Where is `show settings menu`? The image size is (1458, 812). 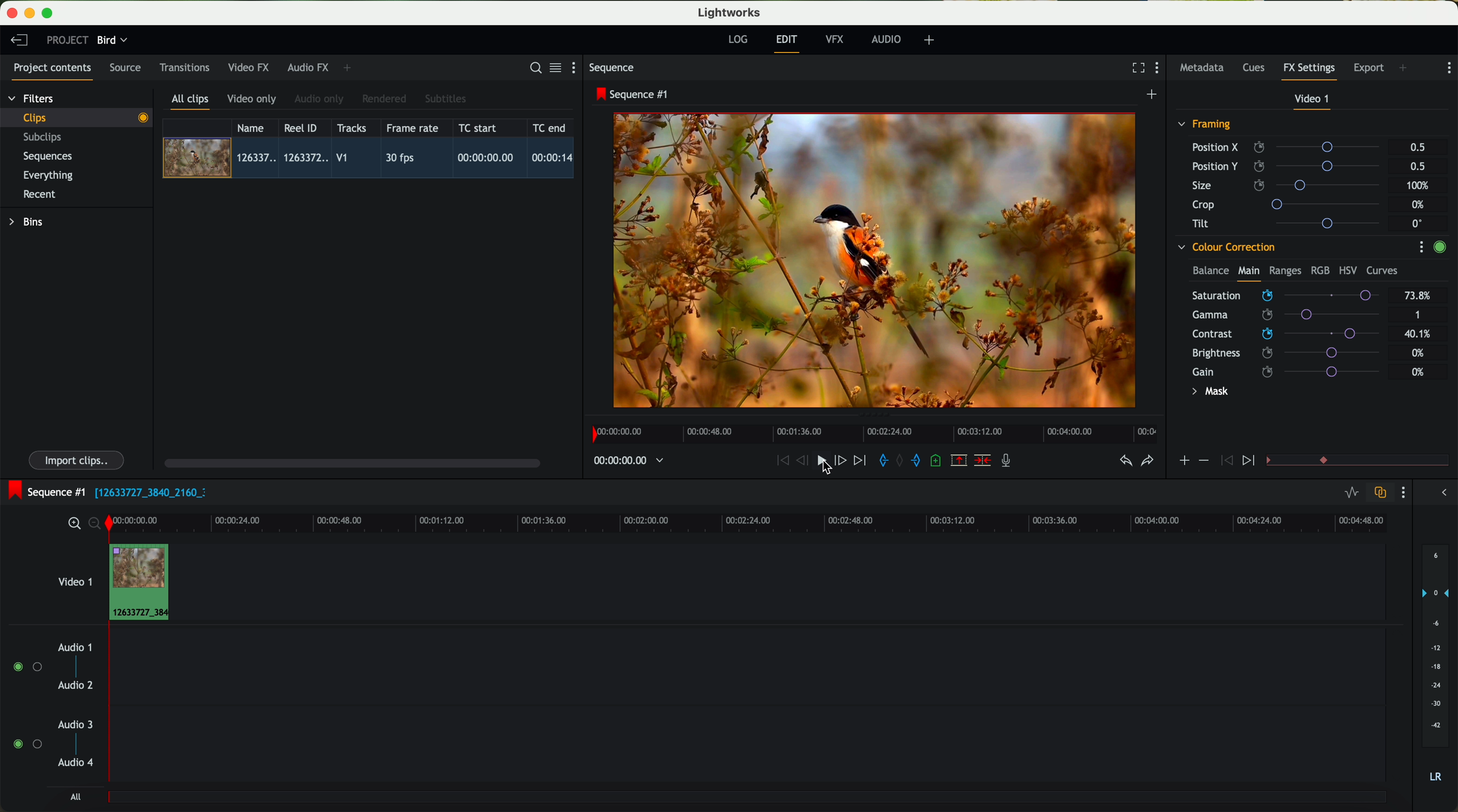 show settings menu is located at coordinates (1402, 492).